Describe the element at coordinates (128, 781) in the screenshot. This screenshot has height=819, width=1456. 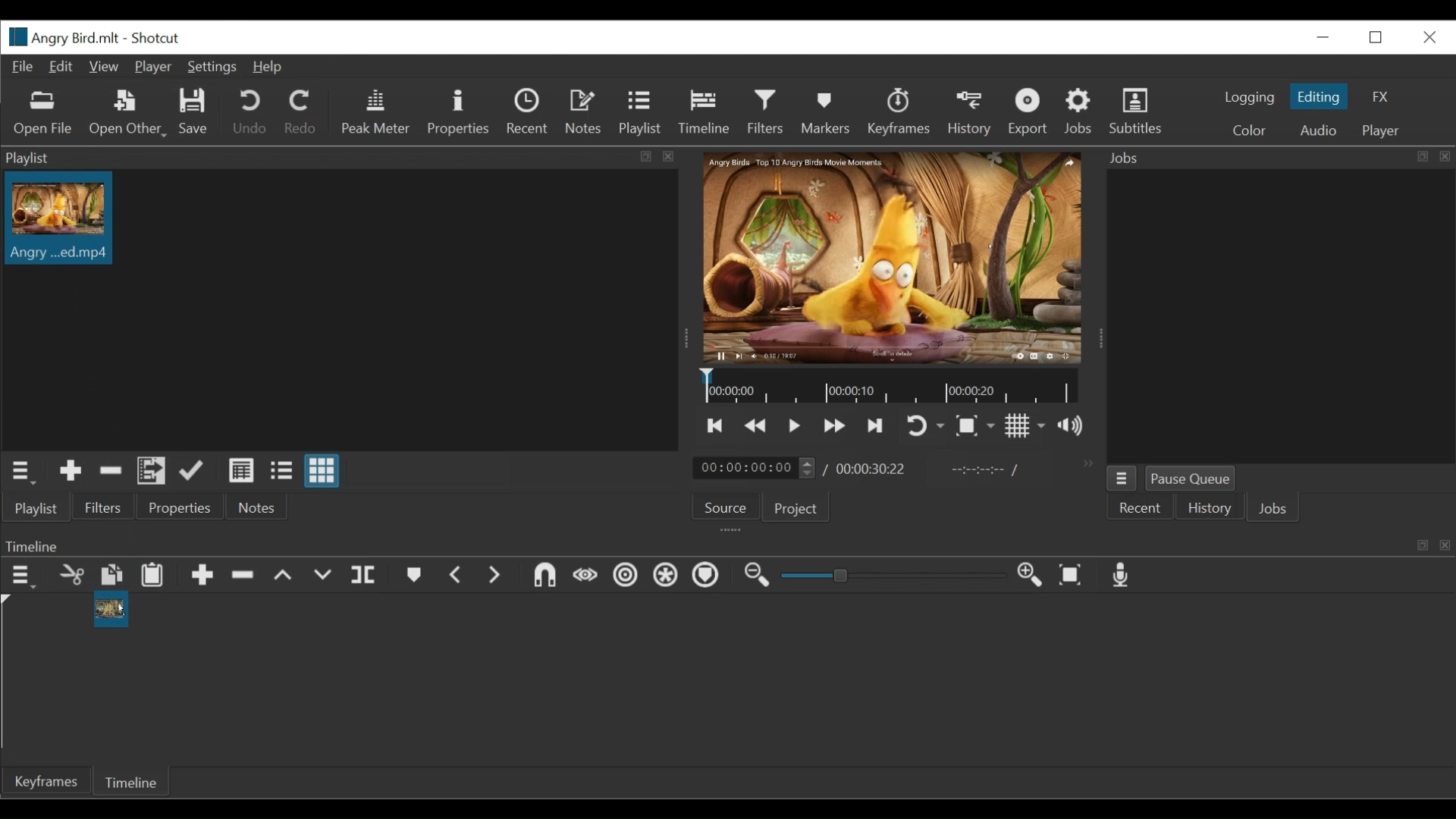
I see `Timeline` at that location.